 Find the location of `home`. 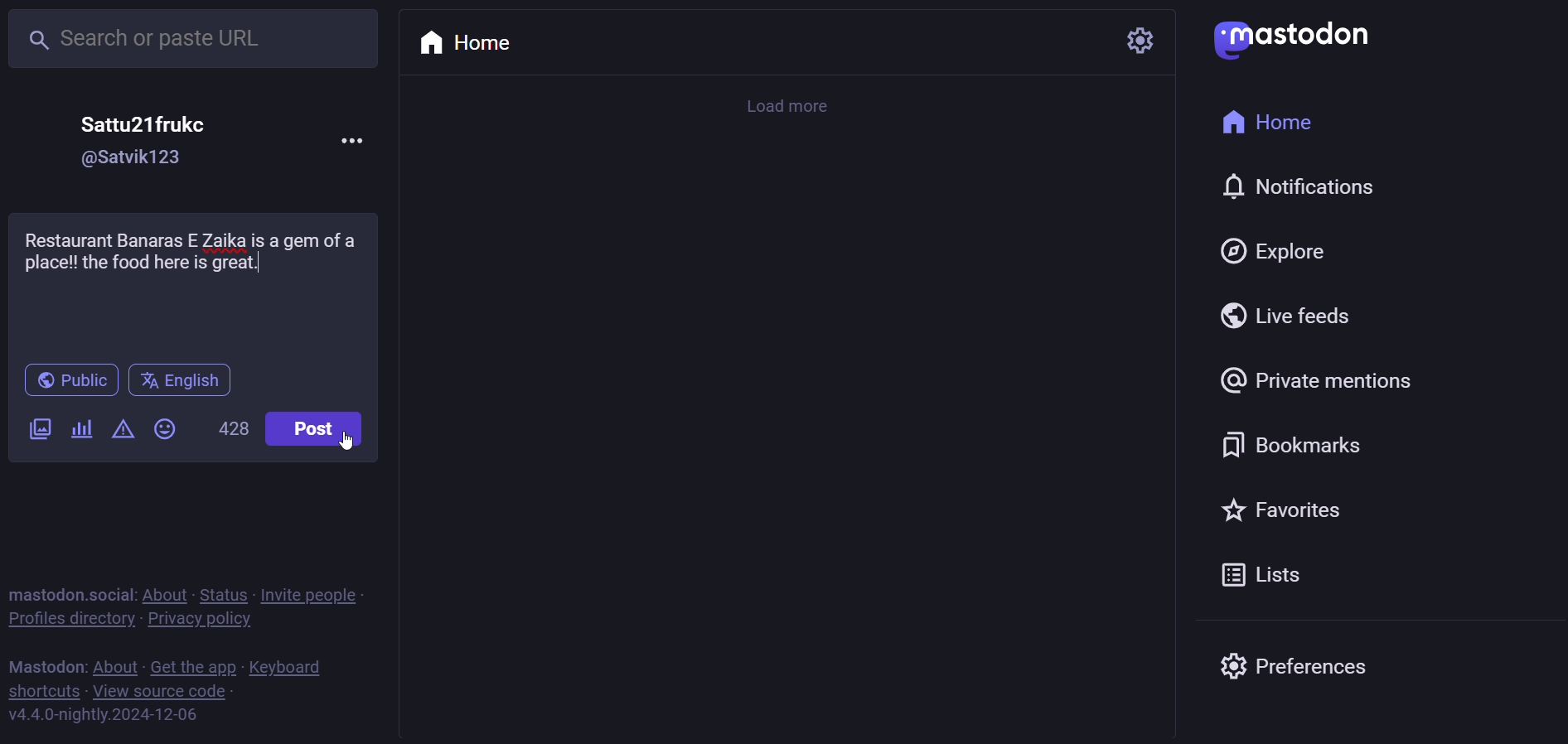

home is located at coordinates (1267, 124).